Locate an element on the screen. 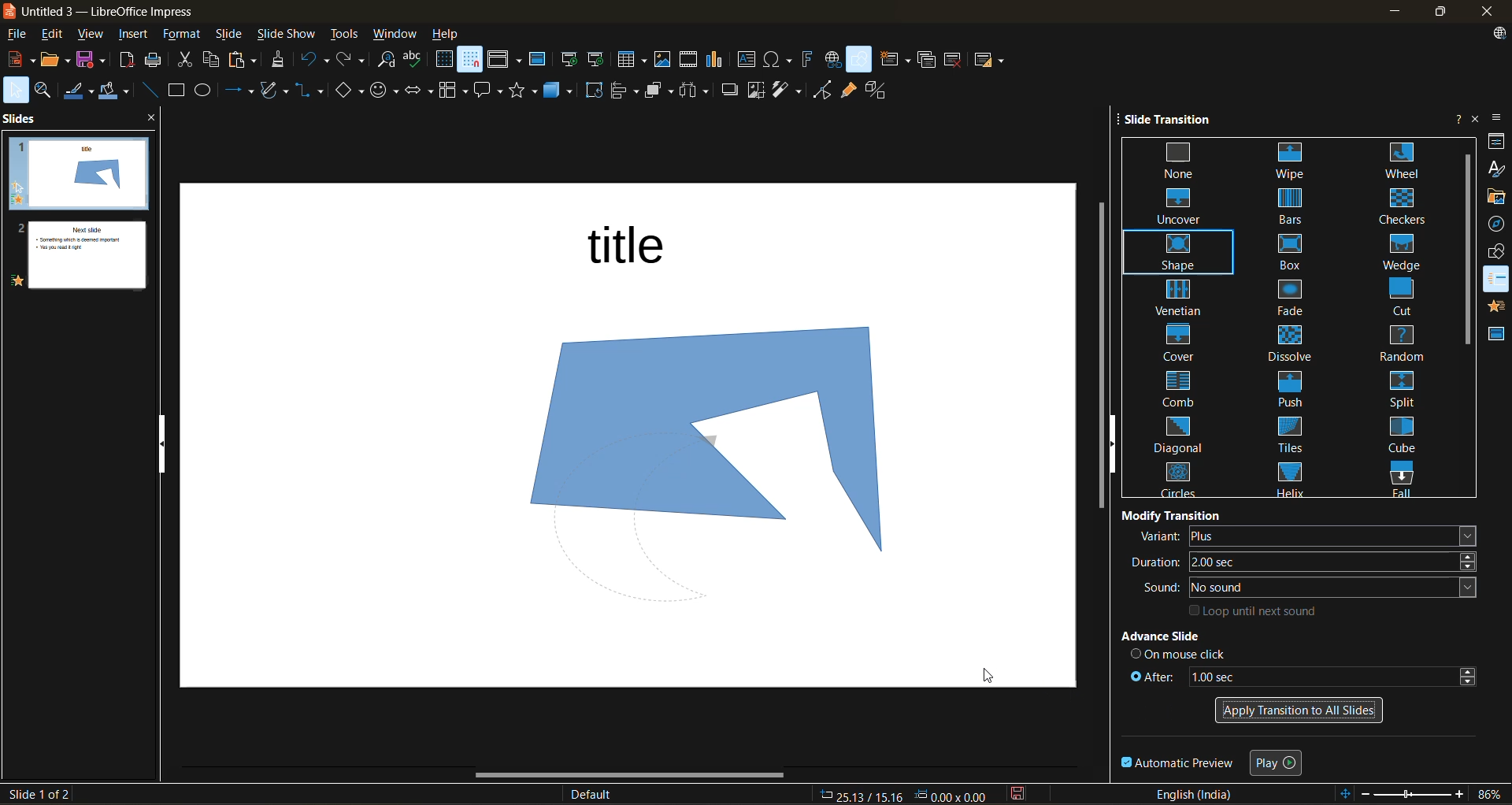  title is located at coordinates (638, 250).